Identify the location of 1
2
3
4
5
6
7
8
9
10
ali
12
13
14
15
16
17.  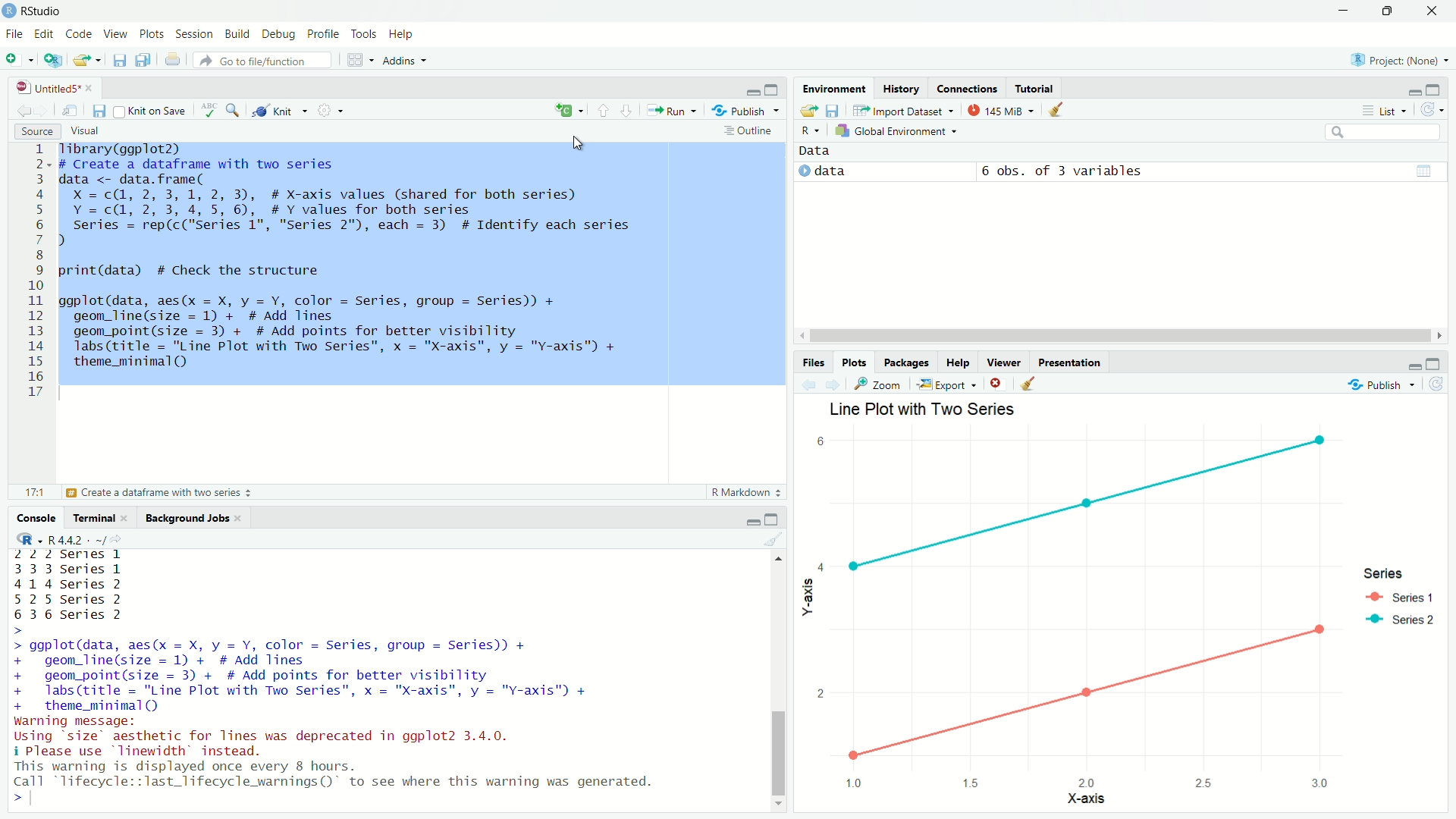
(38, 275).